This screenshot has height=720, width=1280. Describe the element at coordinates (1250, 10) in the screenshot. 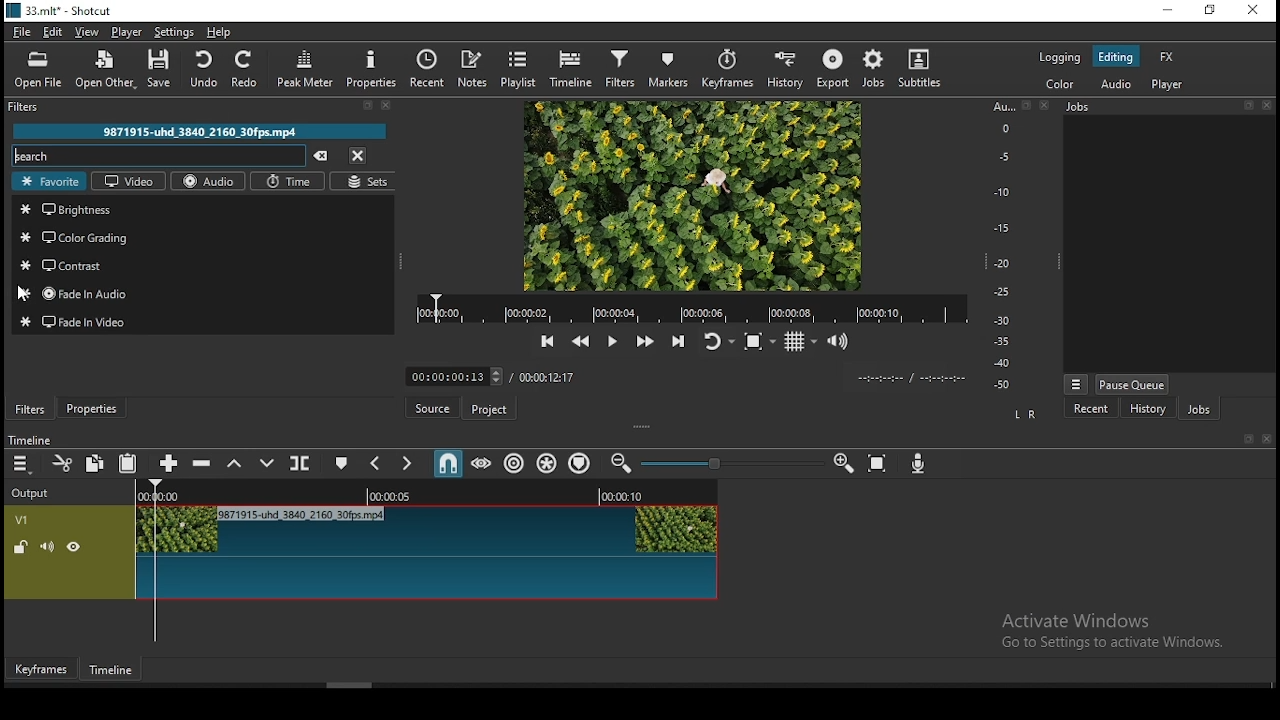

I see `close window` at that location.